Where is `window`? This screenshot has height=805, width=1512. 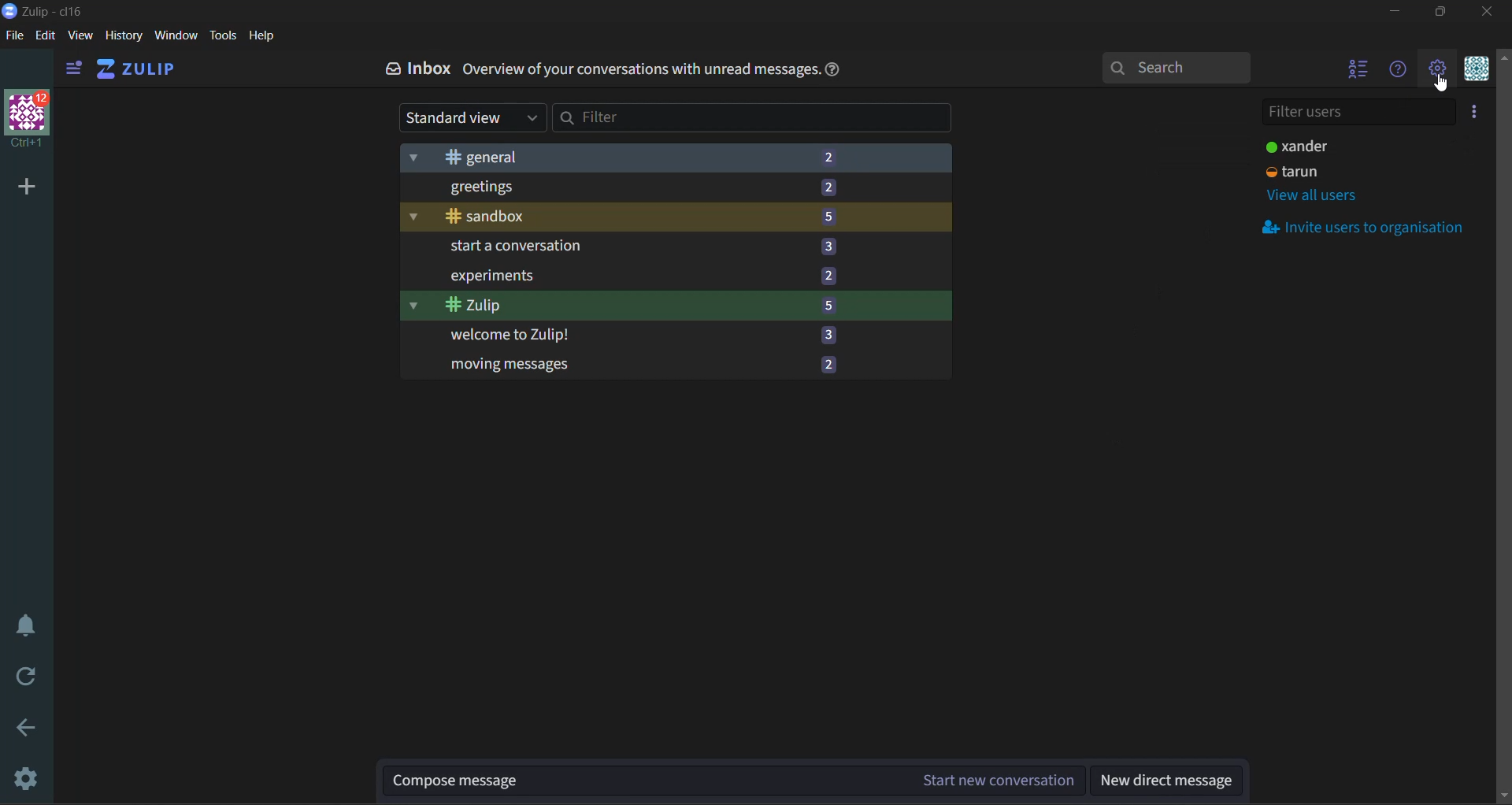 window is located at coordinates (178, 38).